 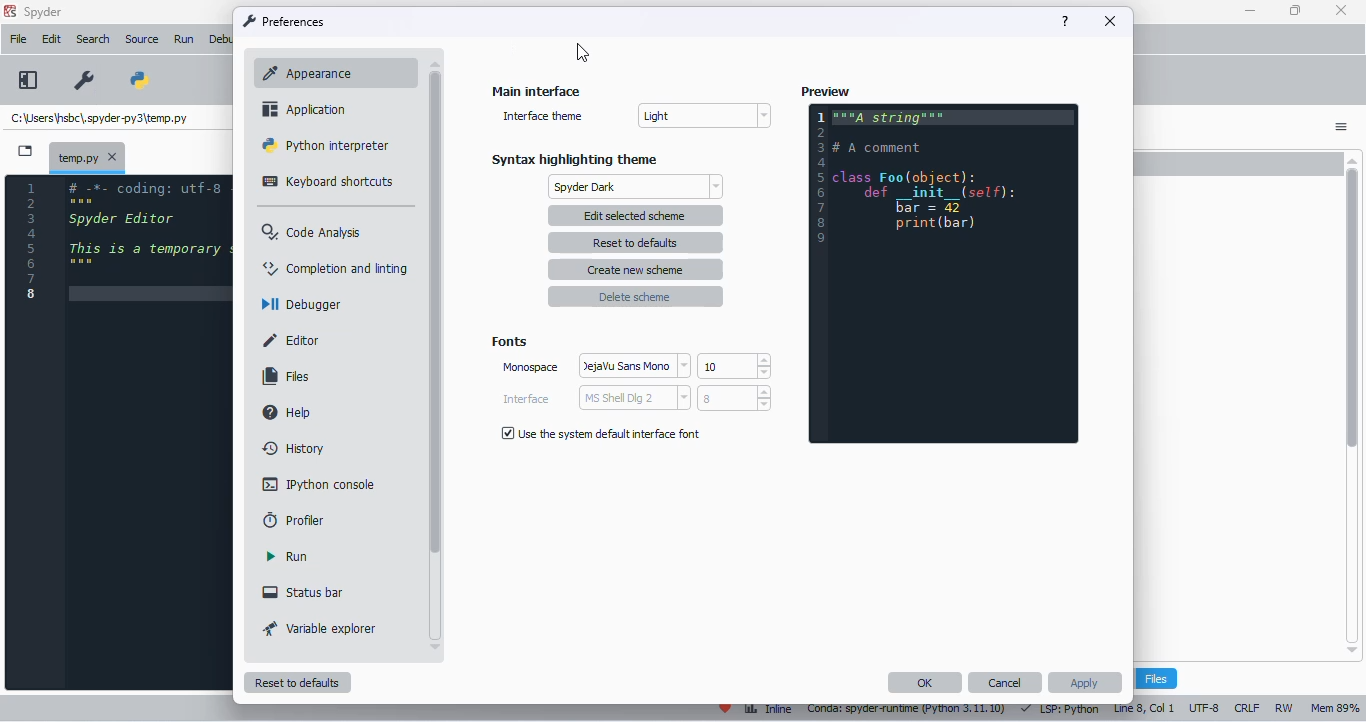 I want to click on 10, so click(x=734, y=365).